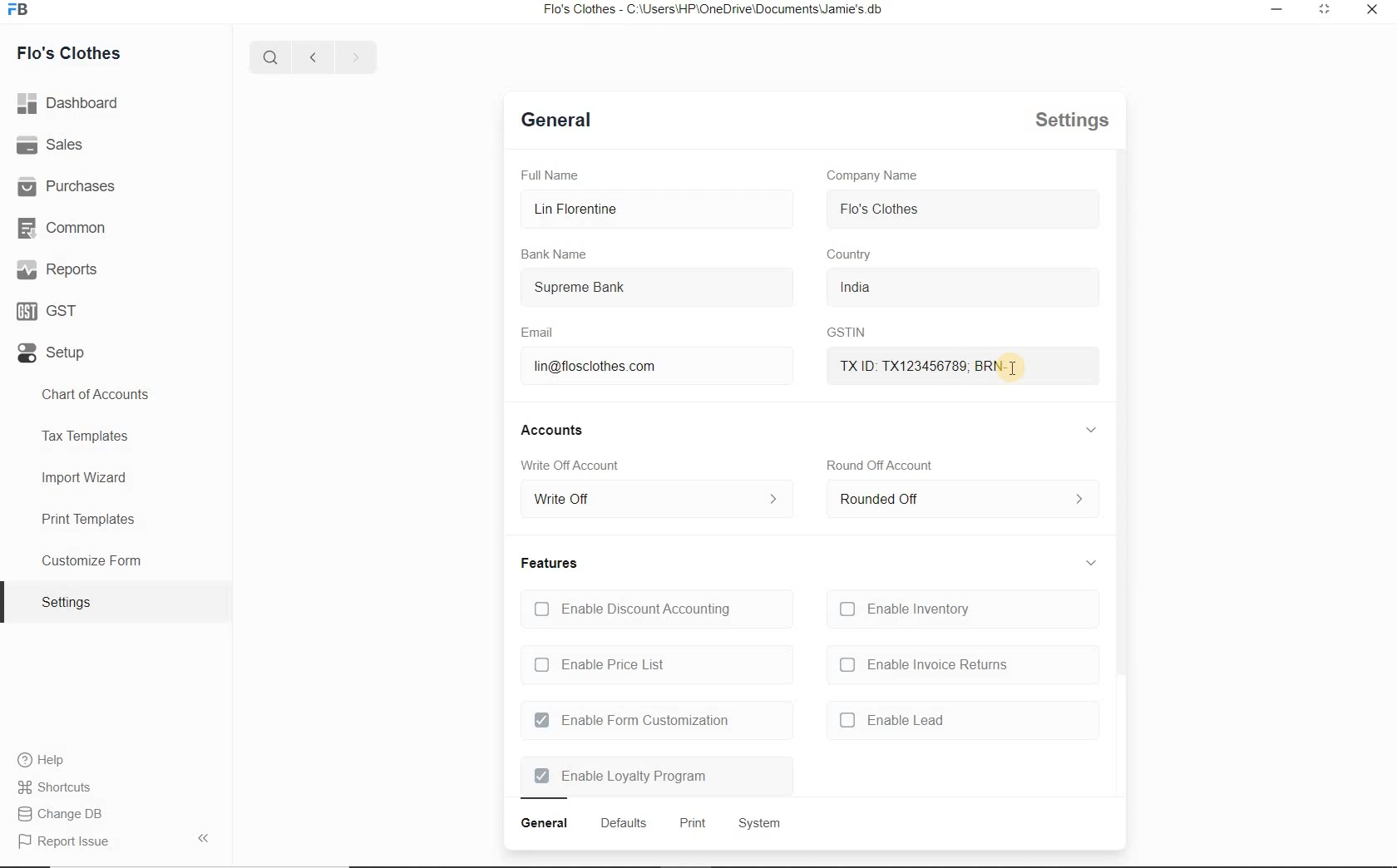  What do you see at coordinates (882, 367) in the screenshot?
I see `mouse pointer` at bounding box center [882, 367].